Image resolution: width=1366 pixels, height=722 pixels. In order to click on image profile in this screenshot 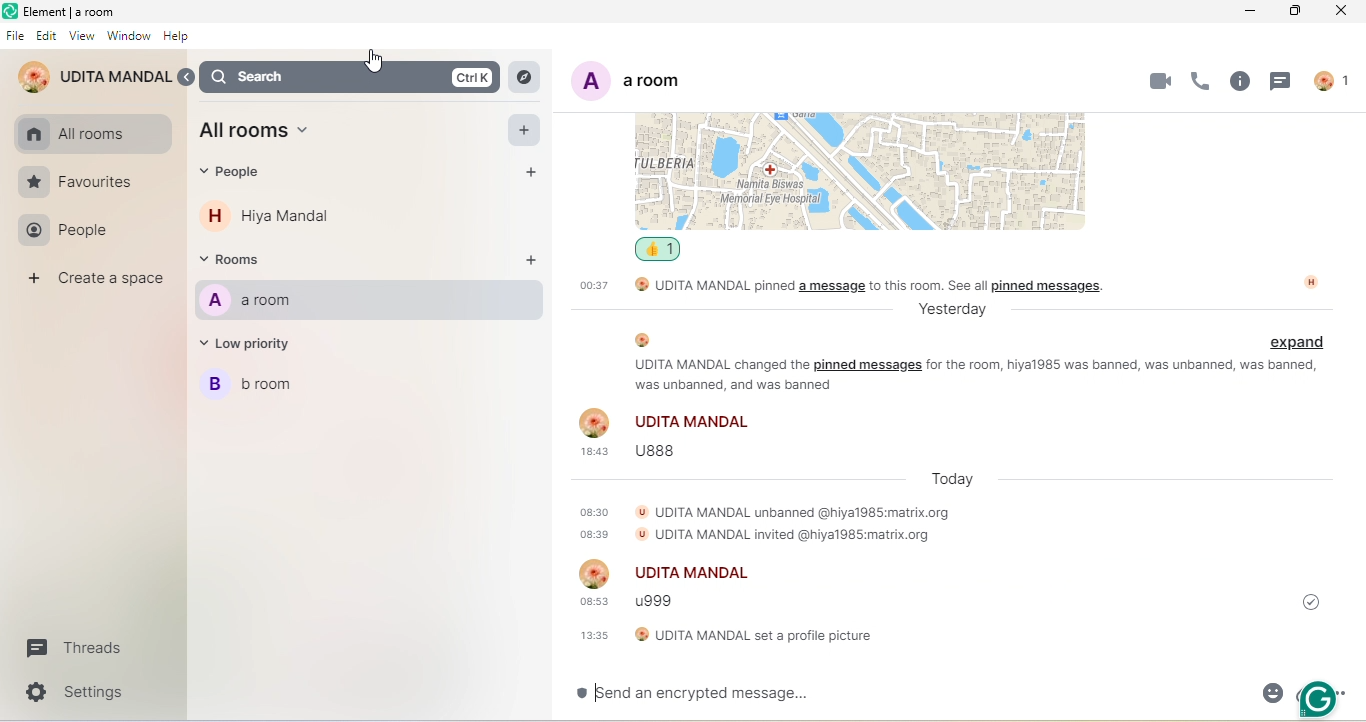, I will do `click(1310, 279)`.